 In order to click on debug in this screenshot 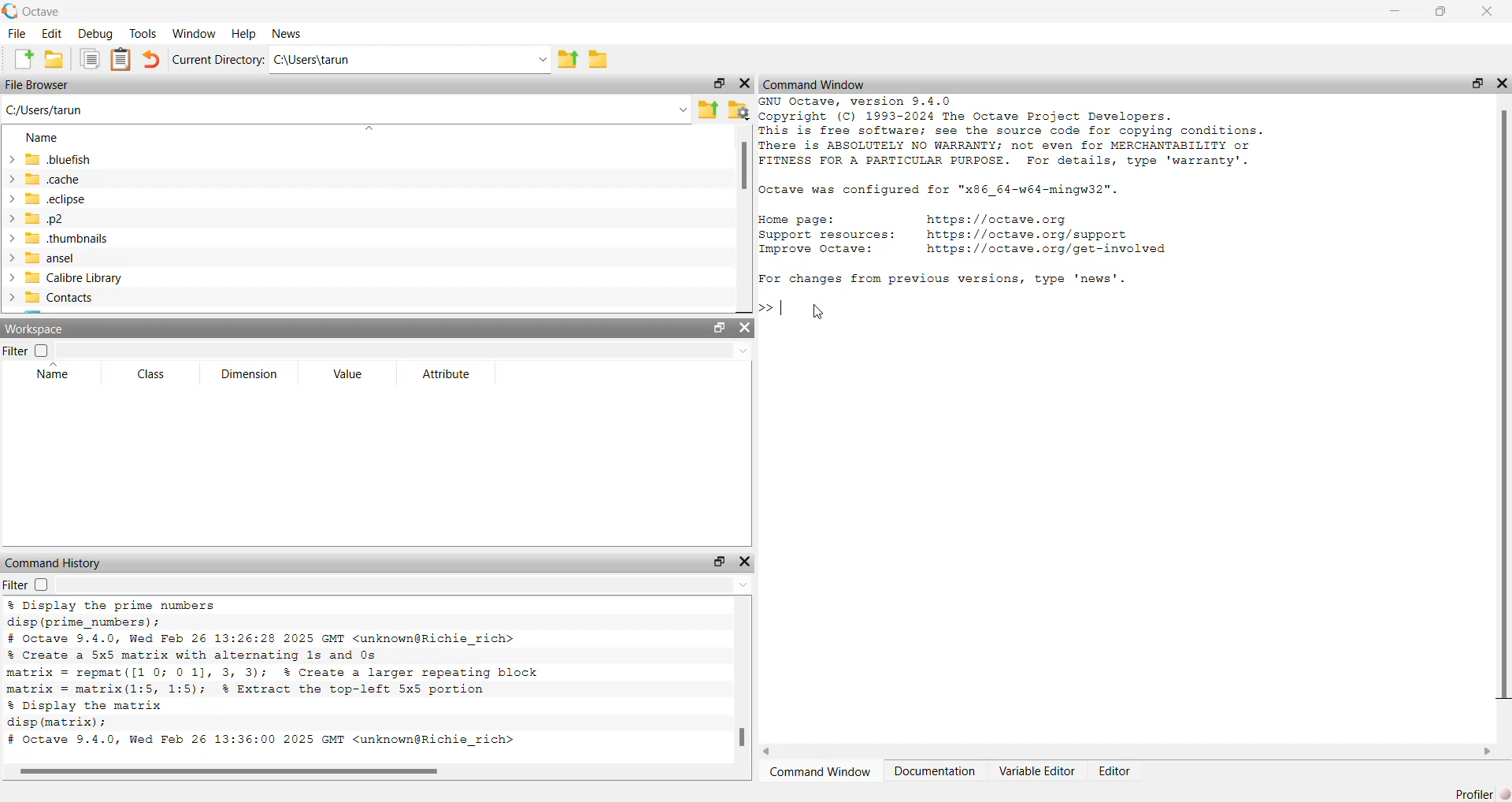, I will do `click(94, 35)`.